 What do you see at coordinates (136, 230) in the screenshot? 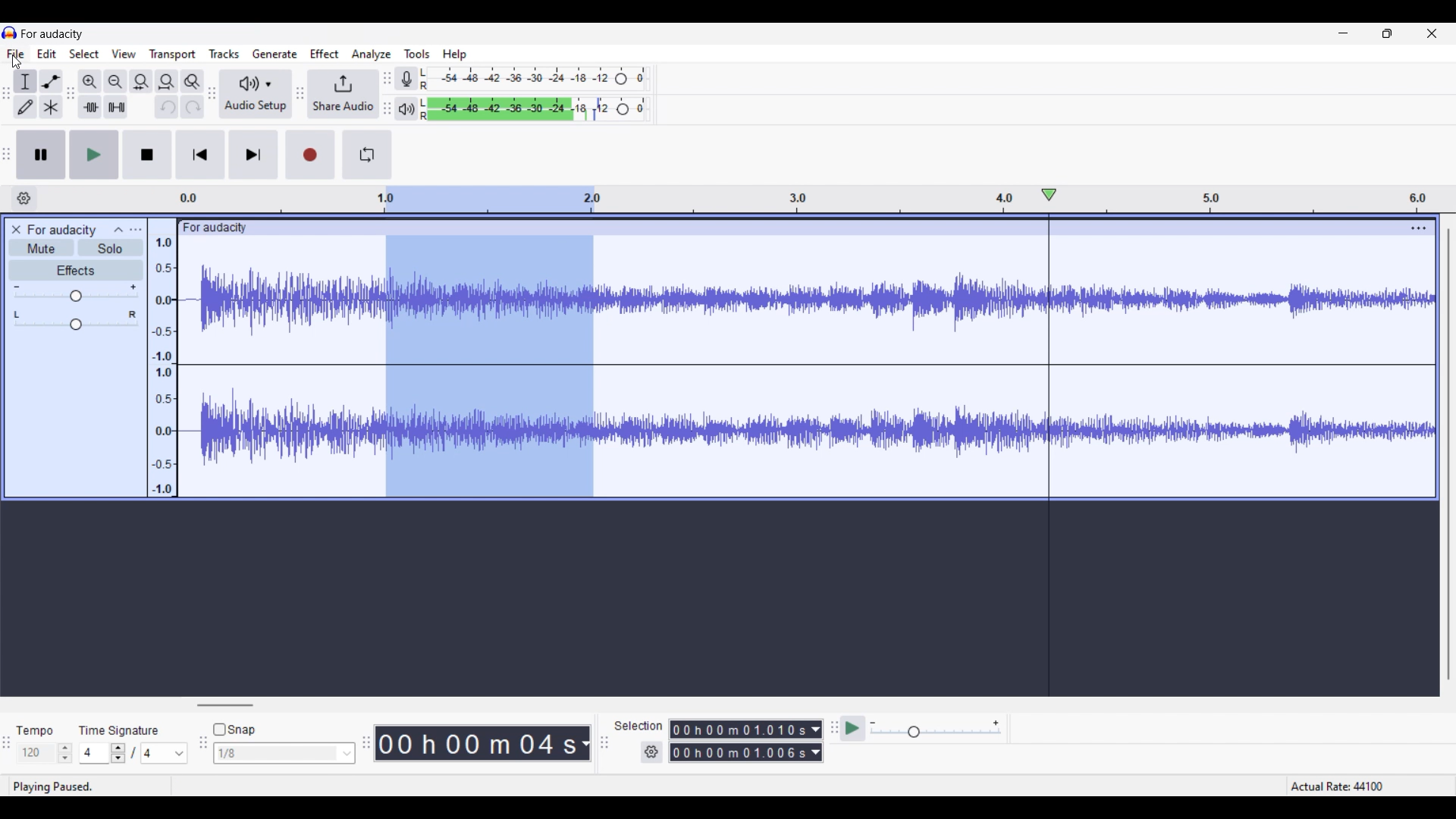
I see `Open menu` at bounding box center [136, 230].